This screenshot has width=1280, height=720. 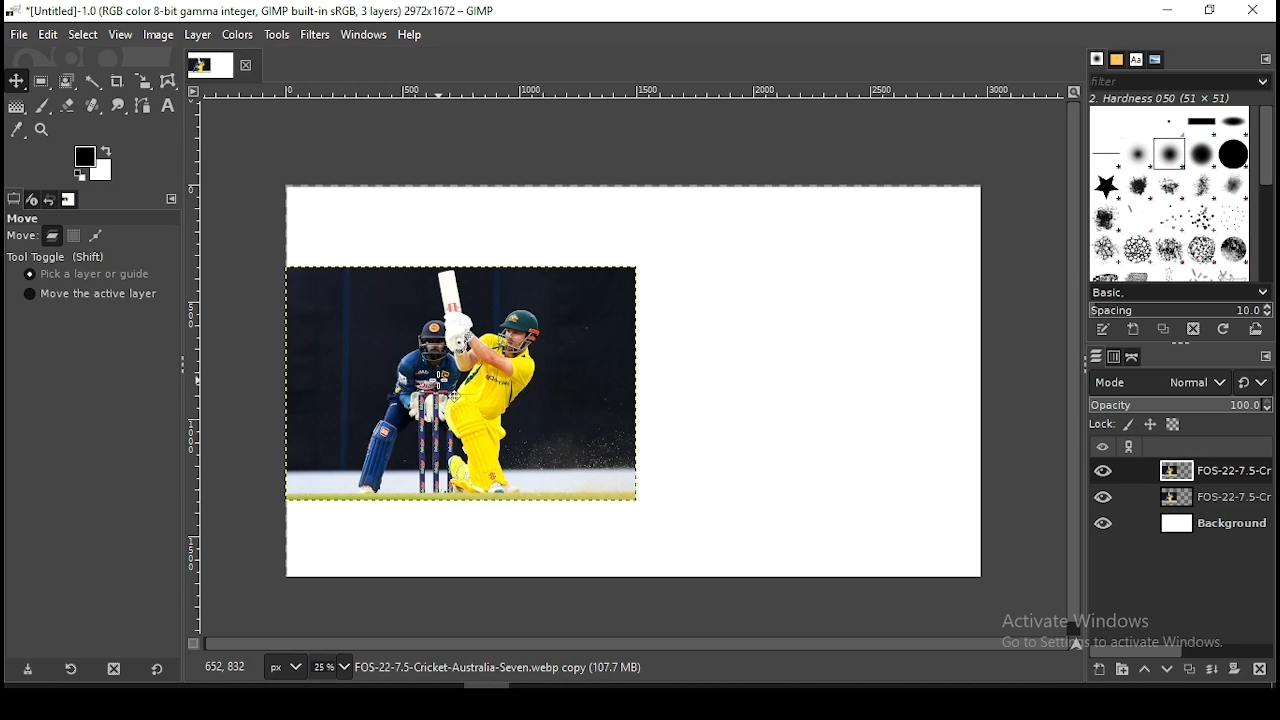 What do you see at coordinates (209, 65) in the screenshot?
I see `tab` at bounding box center [209, 65].